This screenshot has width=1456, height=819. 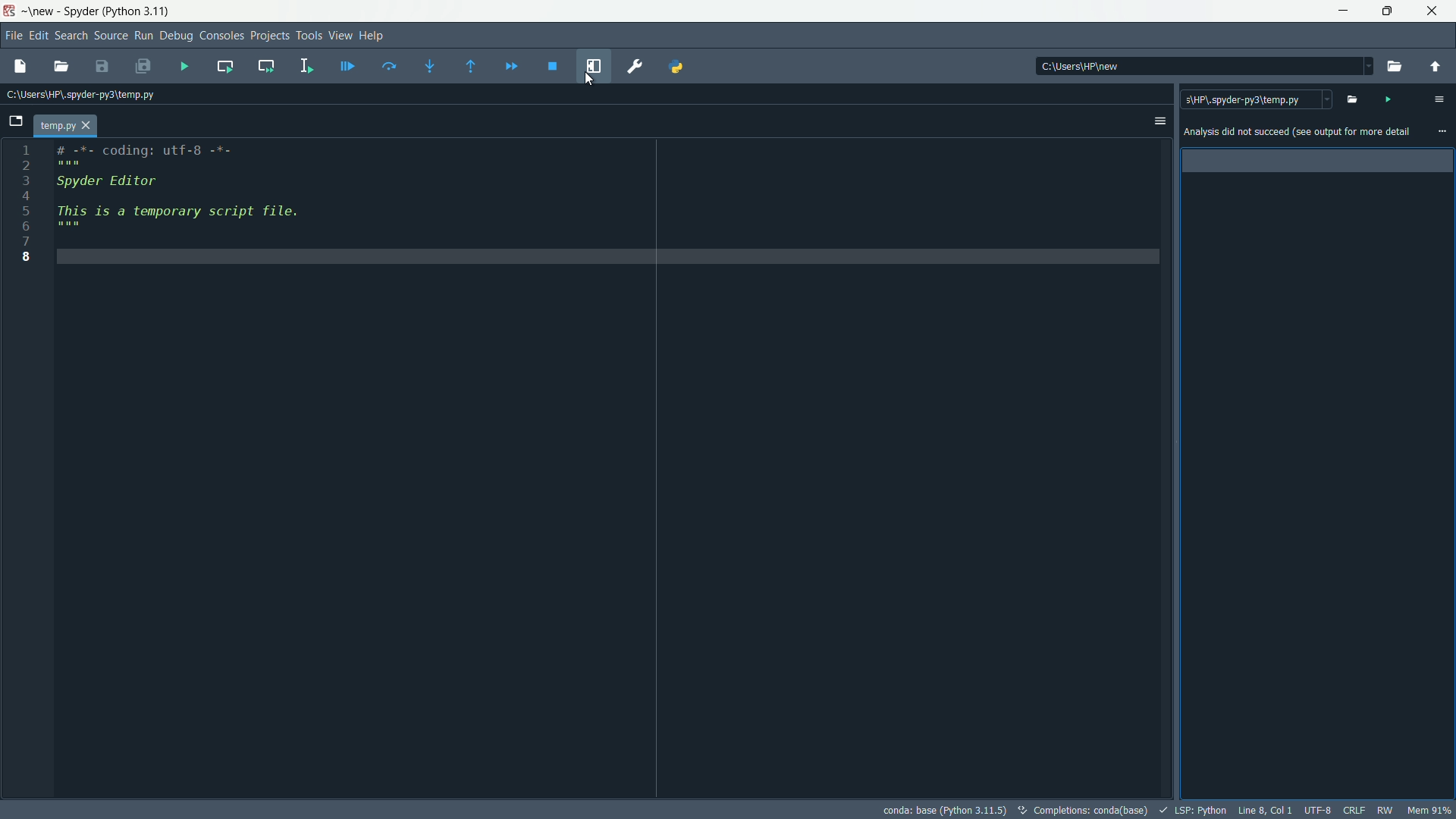 What do you see at coordinates (1355, 99) in the screenshot?
I see `open file` at bounding box center [1355, 99].